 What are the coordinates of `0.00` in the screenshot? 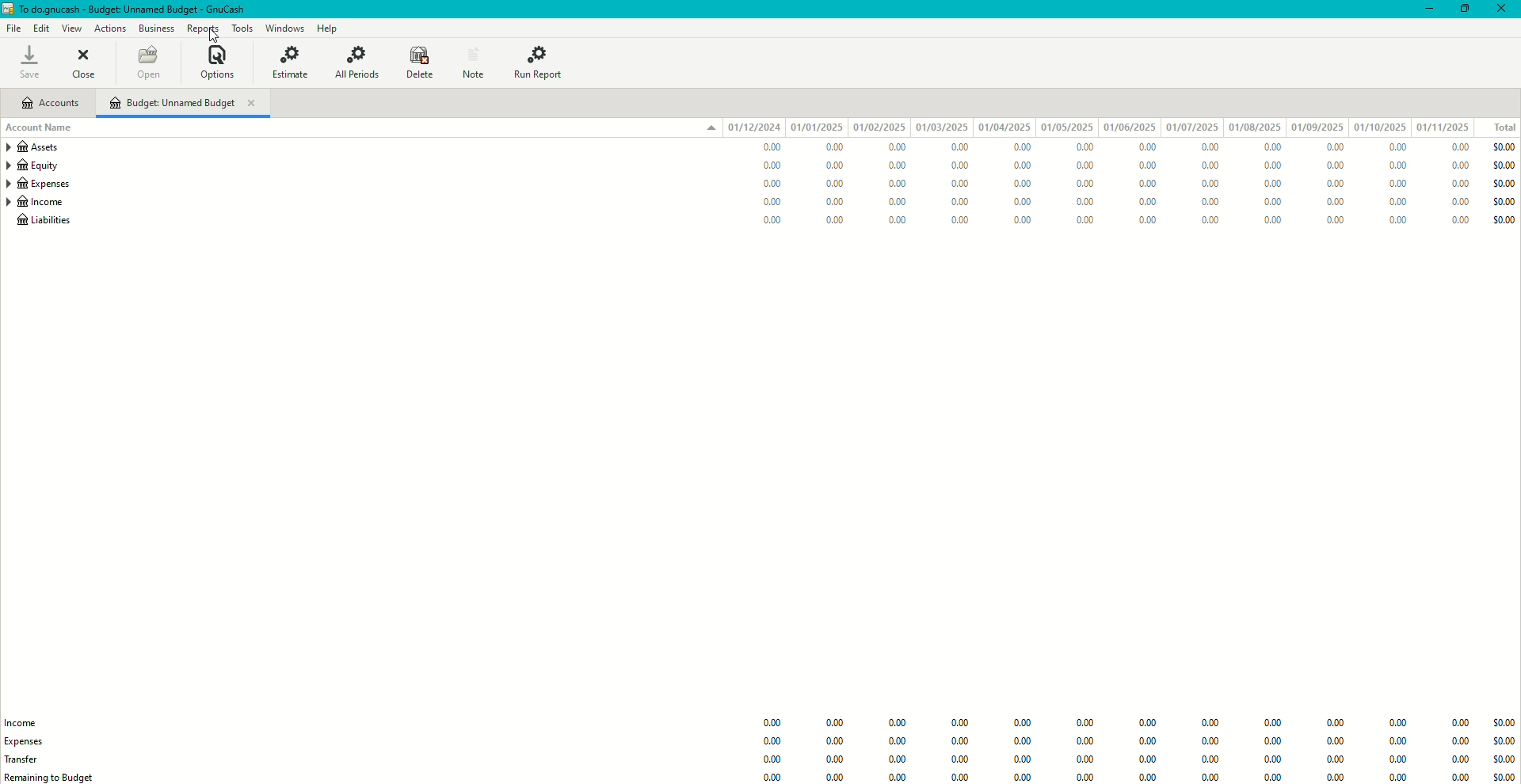 It's located at (1210, 724).